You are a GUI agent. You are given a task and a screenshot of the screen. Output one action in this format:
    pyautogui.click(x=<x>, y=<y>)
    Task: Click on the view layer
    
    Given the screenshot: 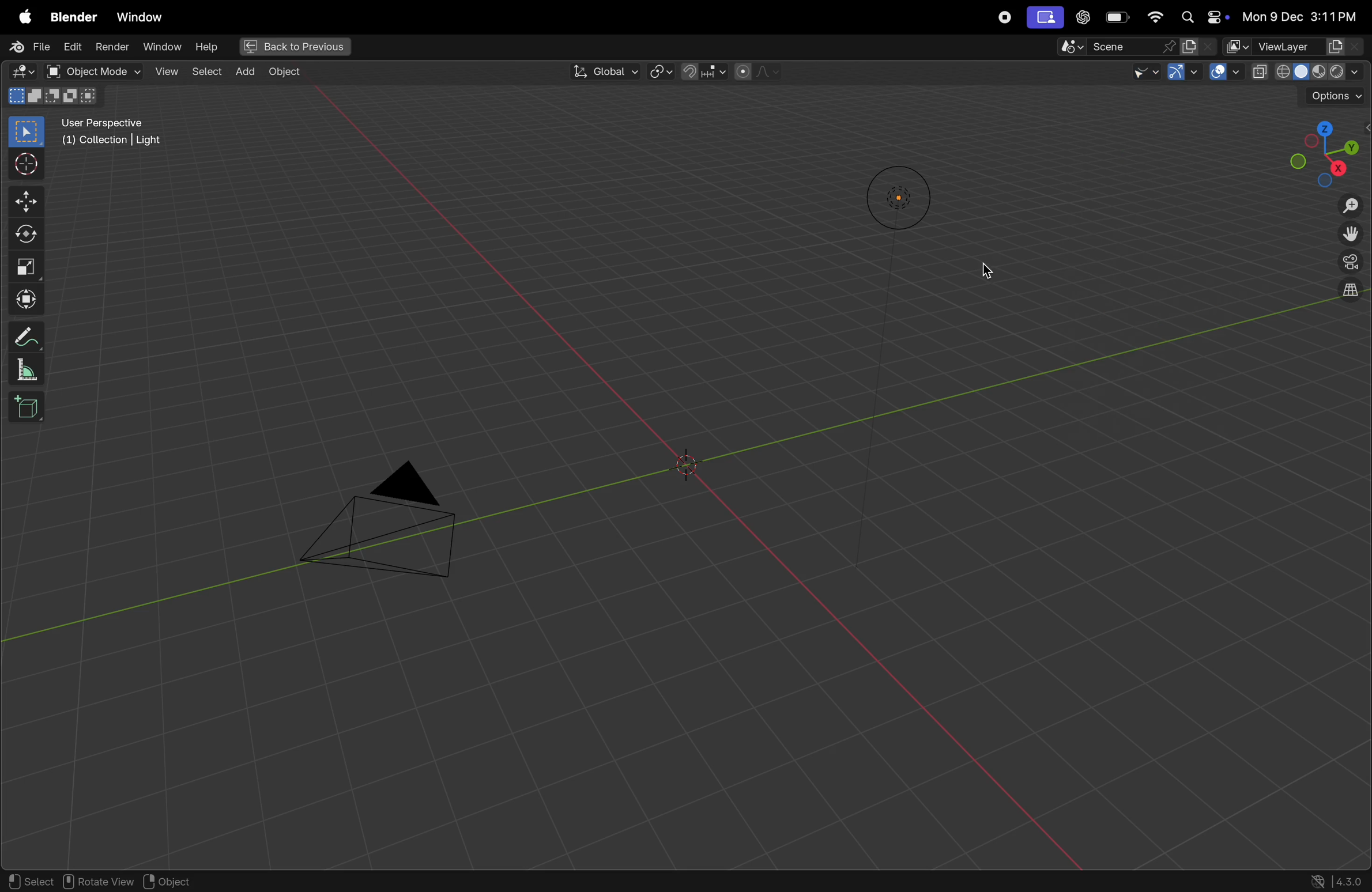 What is the action you would take?
    pyautogui.click(x=1295, y=47)
    